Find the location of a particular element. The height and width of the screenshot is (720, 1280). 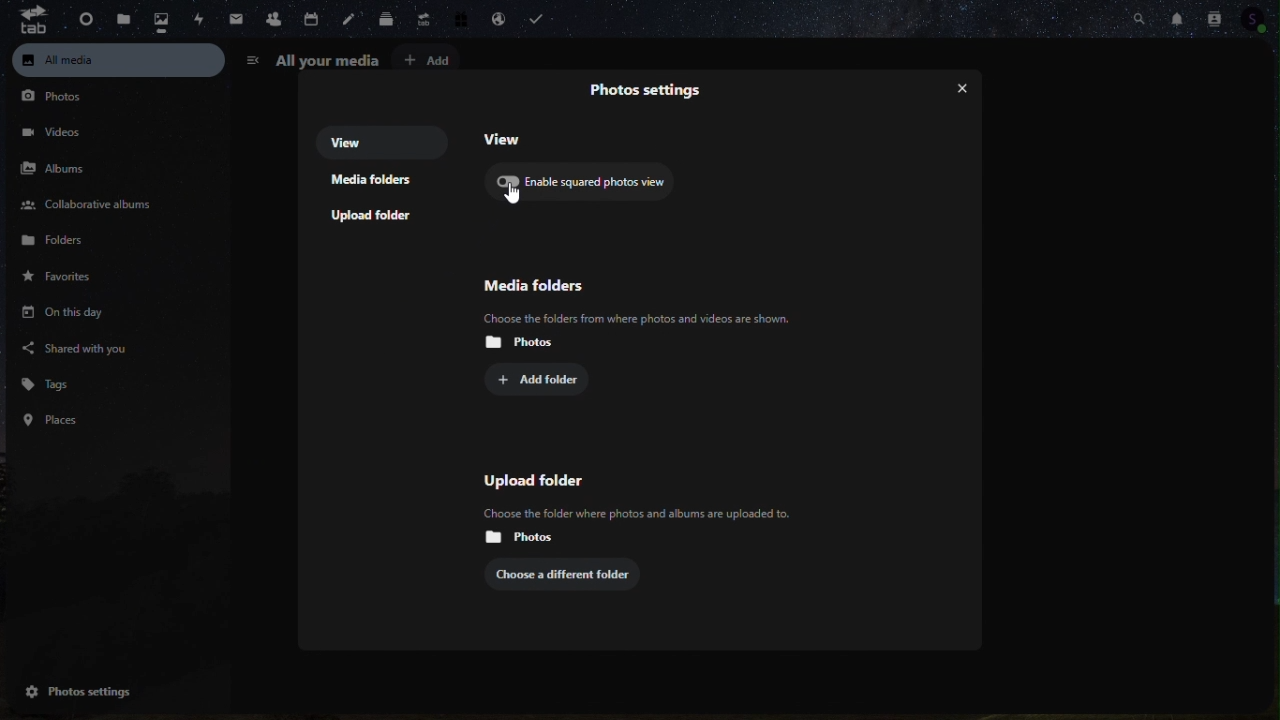

Add is located at coordinates (433, 59).